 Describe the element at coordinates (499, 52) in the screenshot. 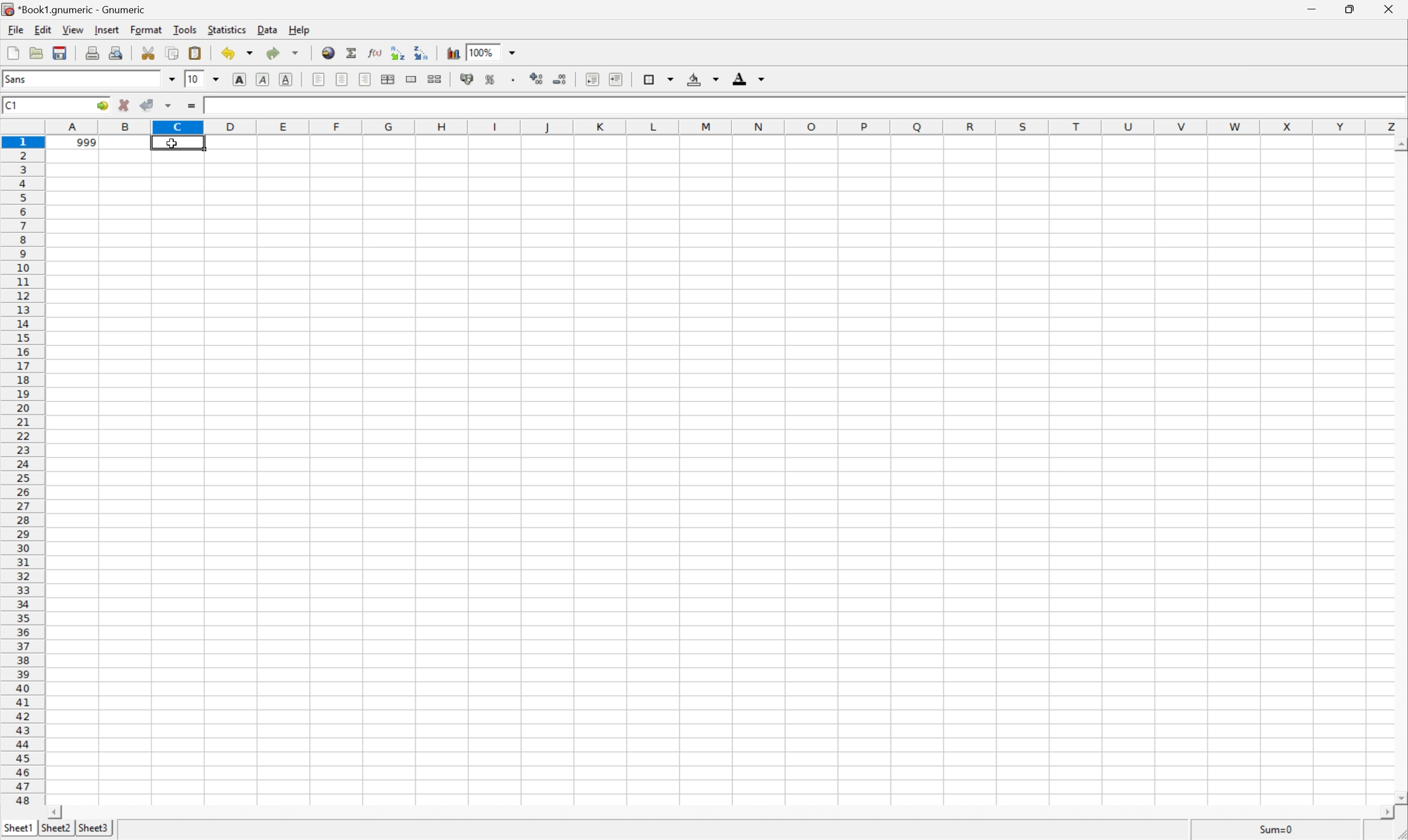

I see `Zoom` at that location.